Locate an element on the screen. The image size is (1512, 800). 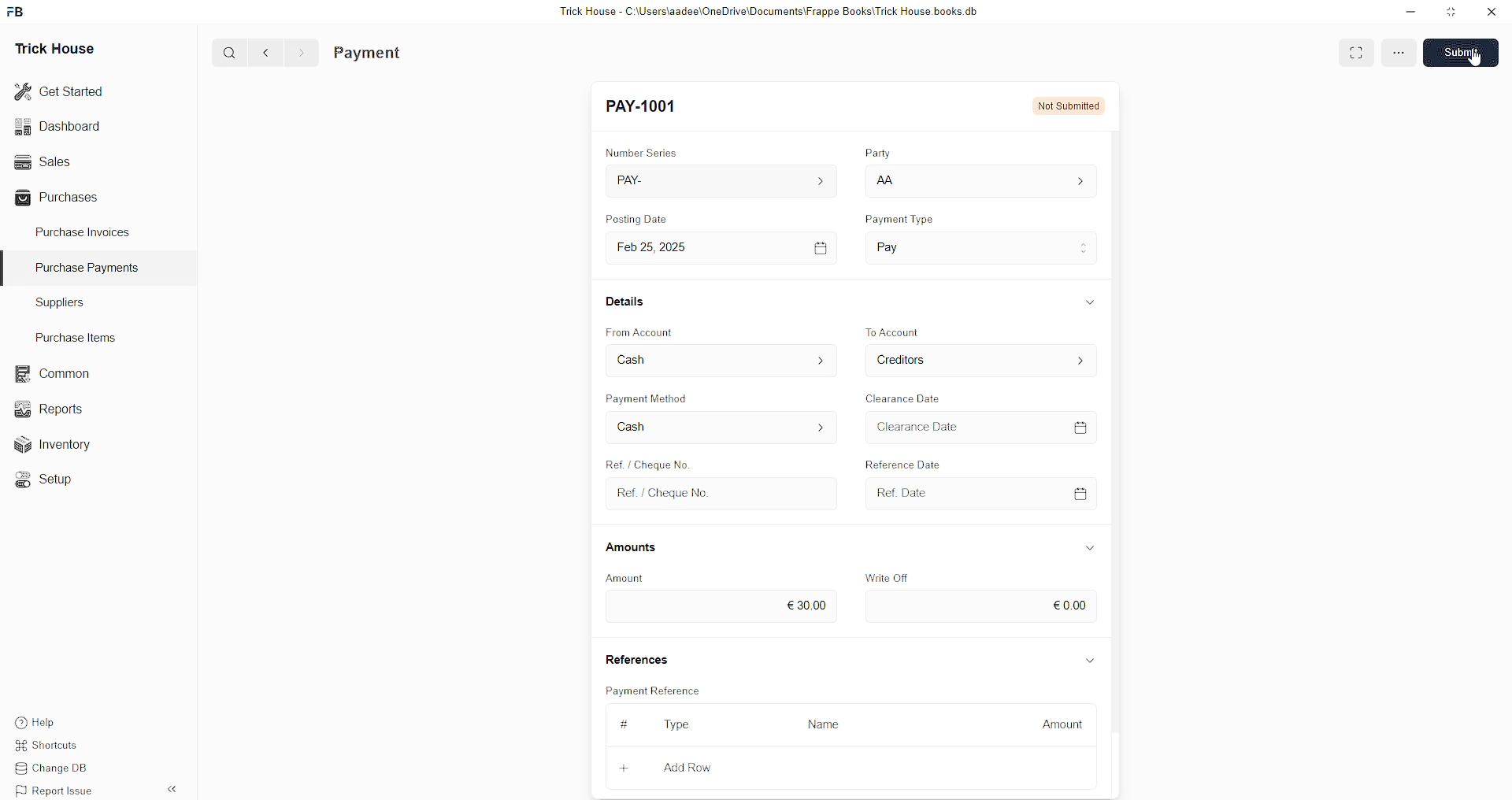
 Get Started is located at coordinates (60, 90).